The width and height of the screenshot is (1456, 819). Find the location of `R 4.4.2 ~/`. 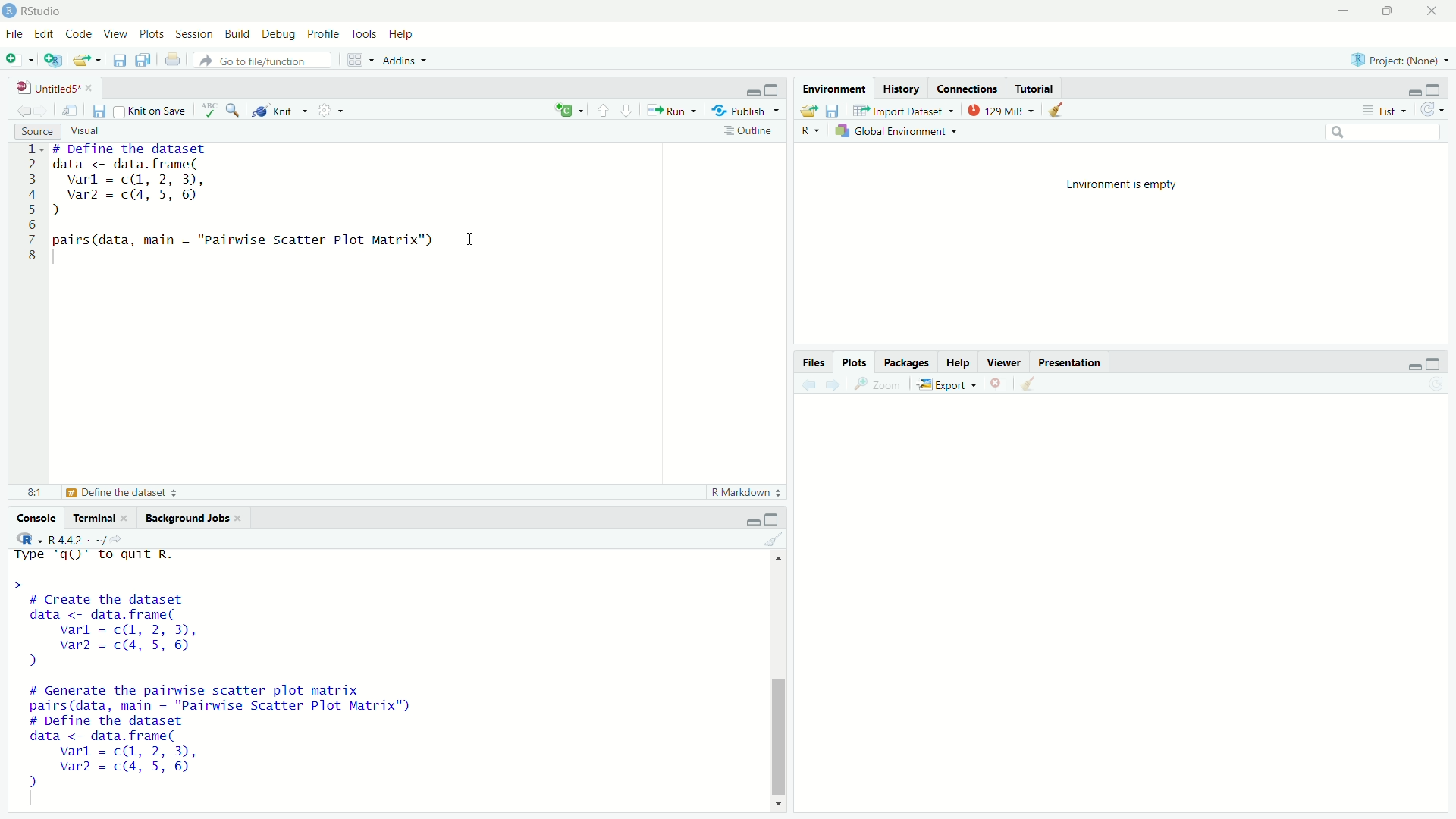

R 4.4.2 ~/ is located at coordinates (76, 538).